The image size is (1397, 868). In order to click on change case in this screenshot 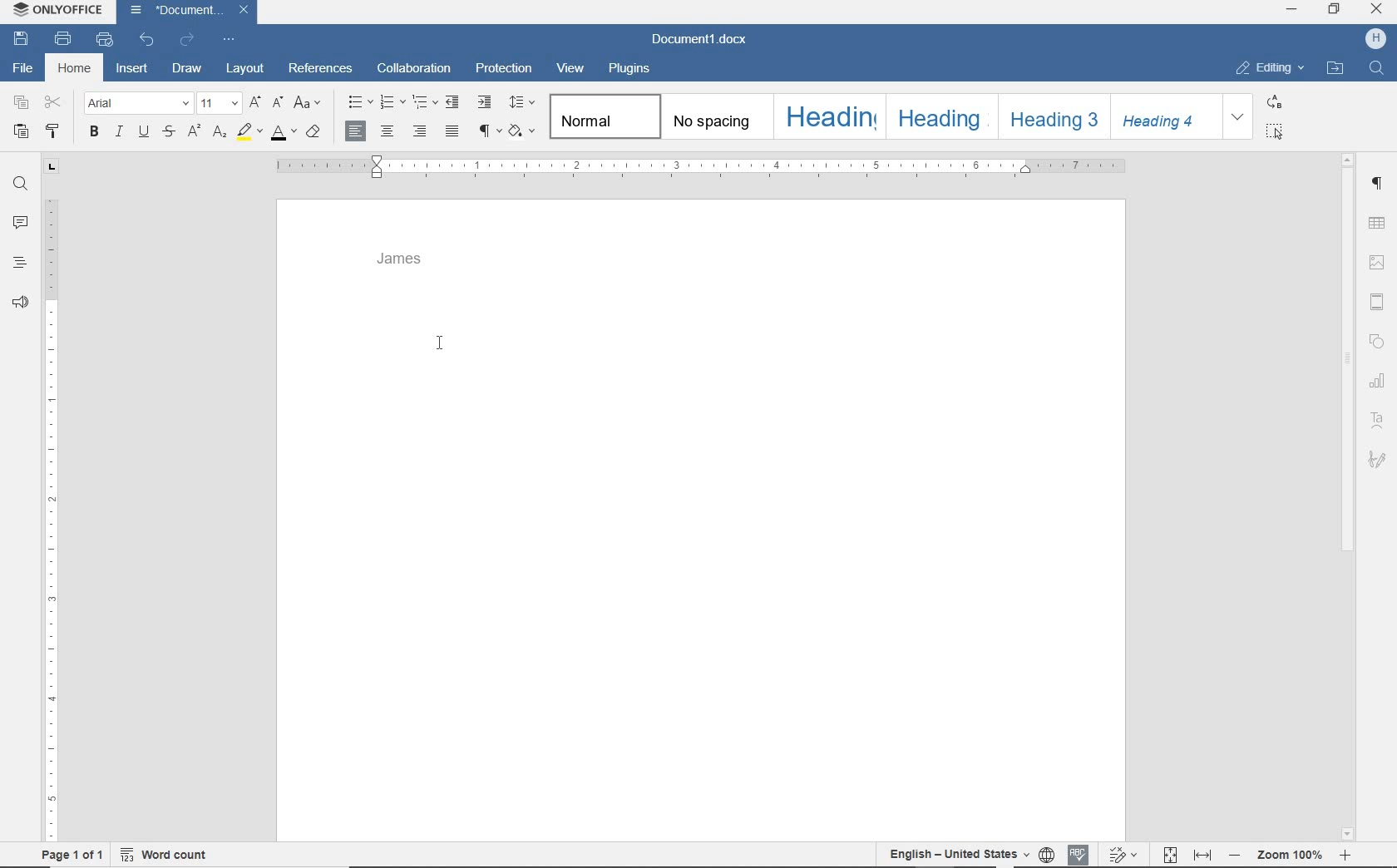, I will do `click(309, 104)`.